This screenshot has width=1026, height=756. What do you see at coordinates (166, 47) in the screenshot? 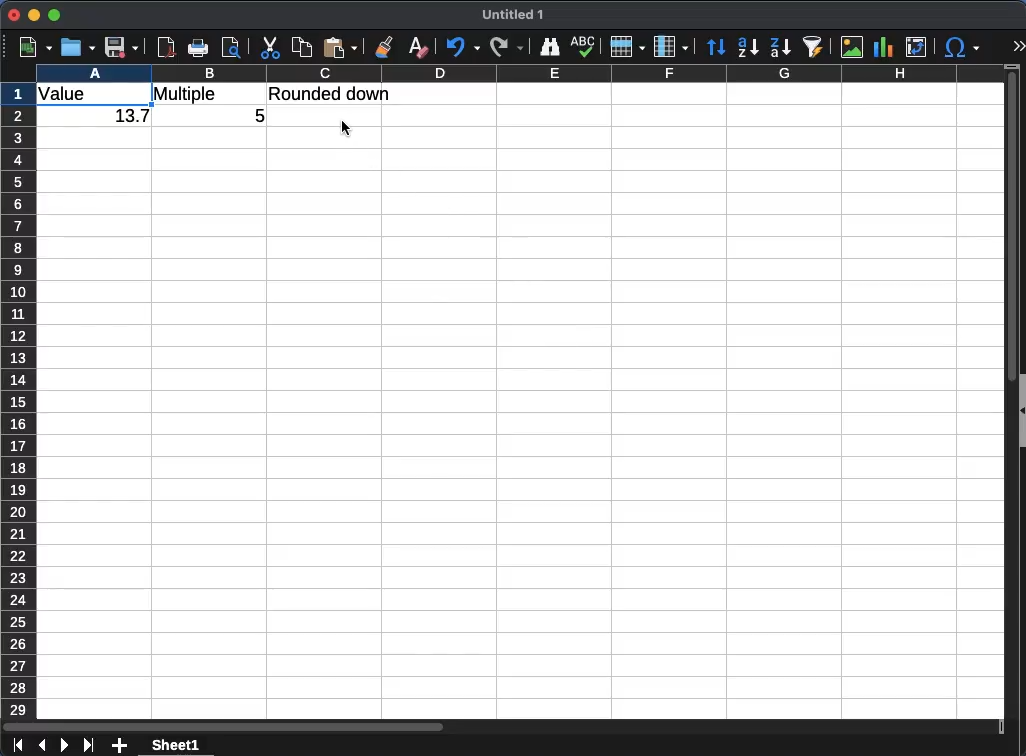
I see `pdf reader` at bounding box center [166, 47].